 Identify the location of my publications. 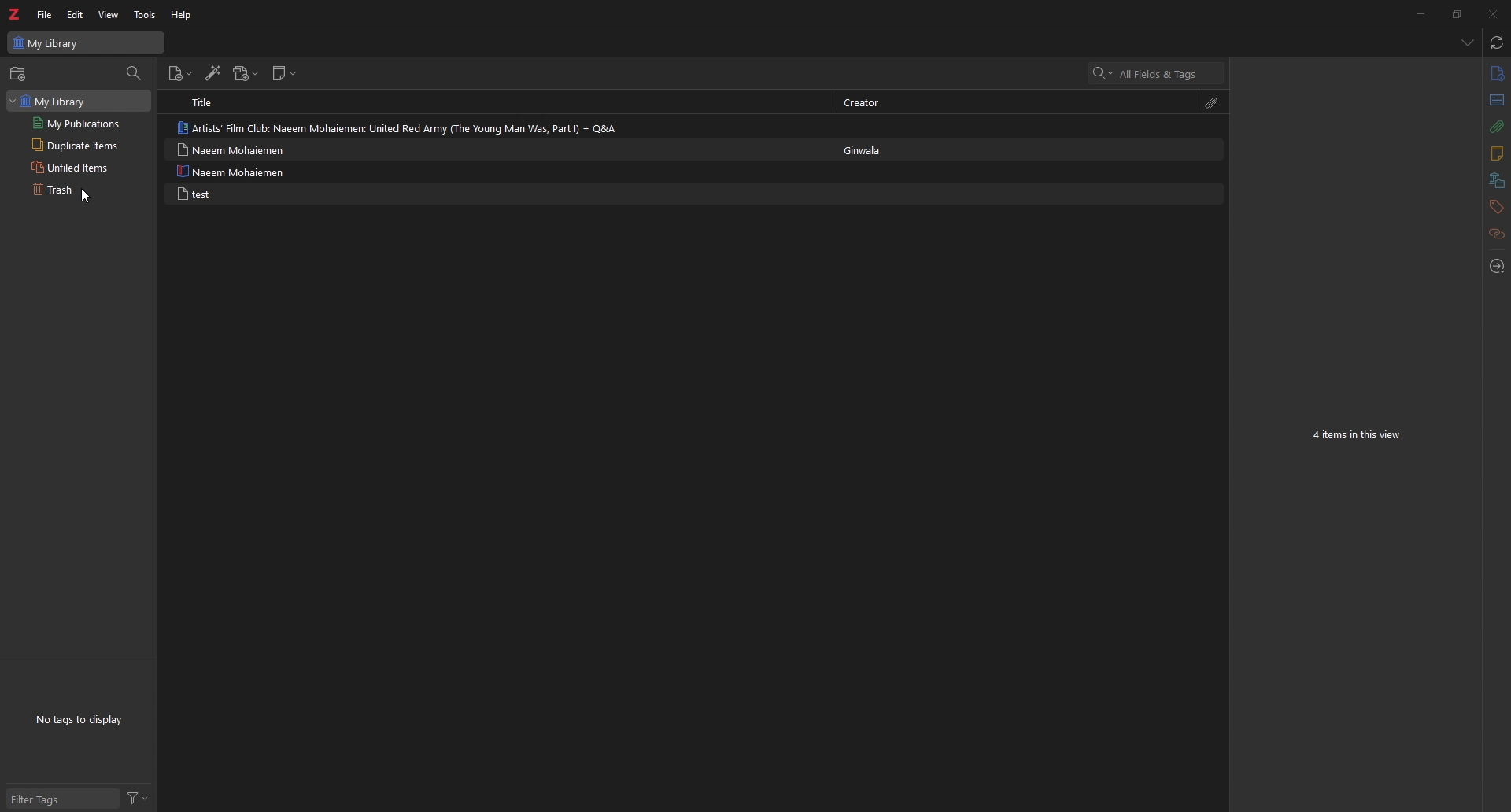
(79, 124).